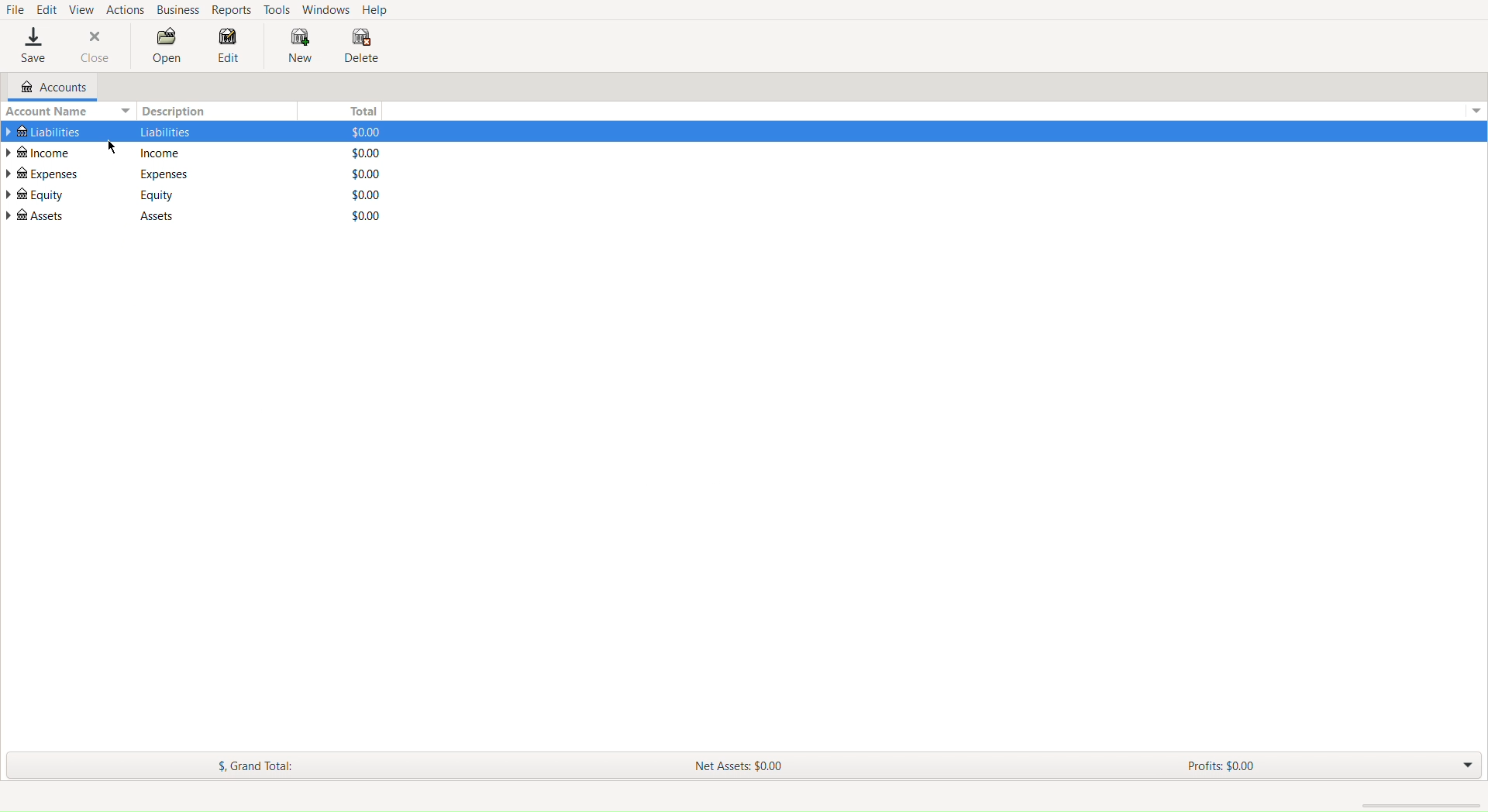  What do you see at coordinates (14, 10) in the screenshot?
I see `File` at bounding box center [14, 10].